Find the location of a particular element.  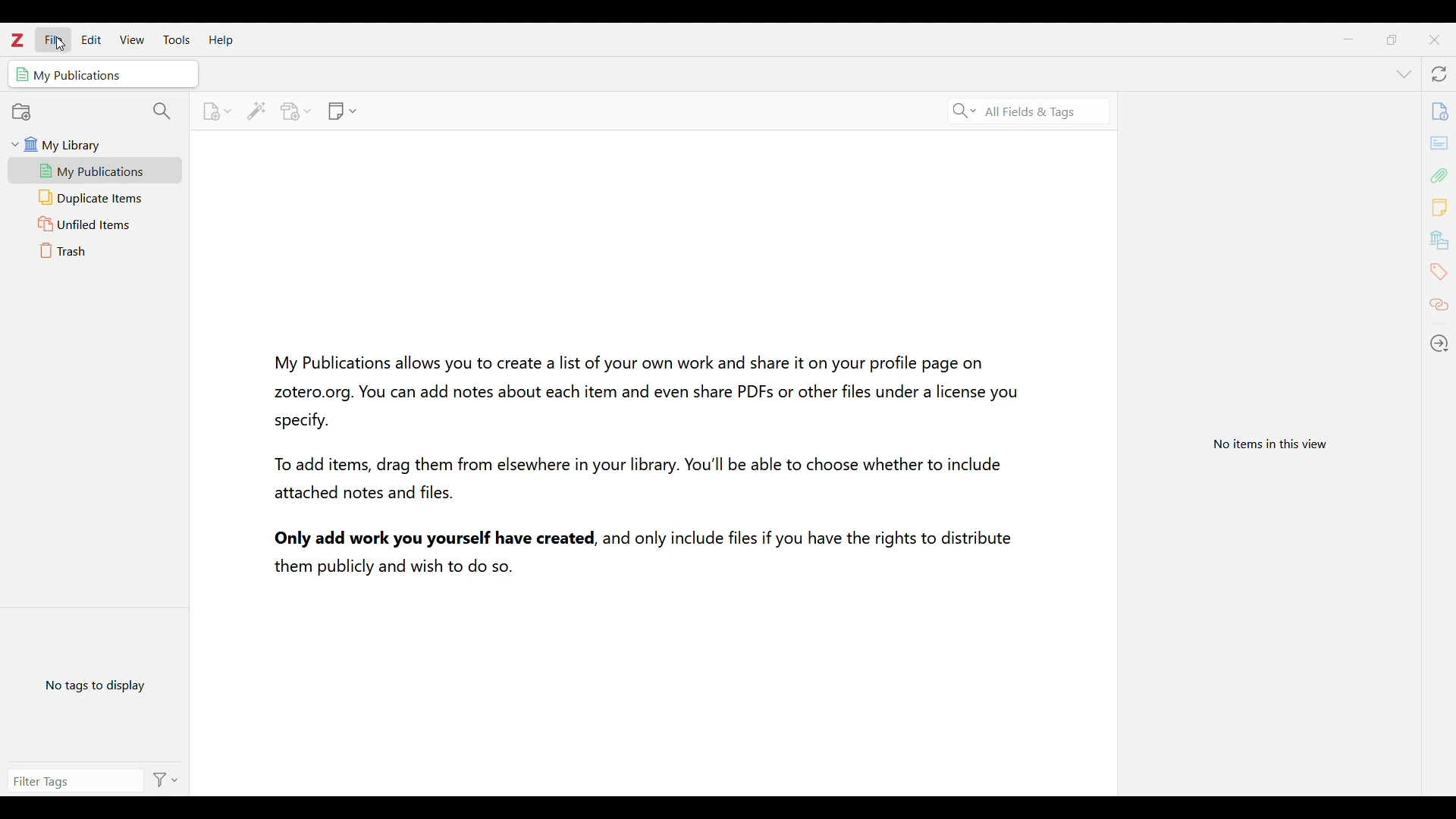

Libraries and collections is located at coordinates (1439, 239).